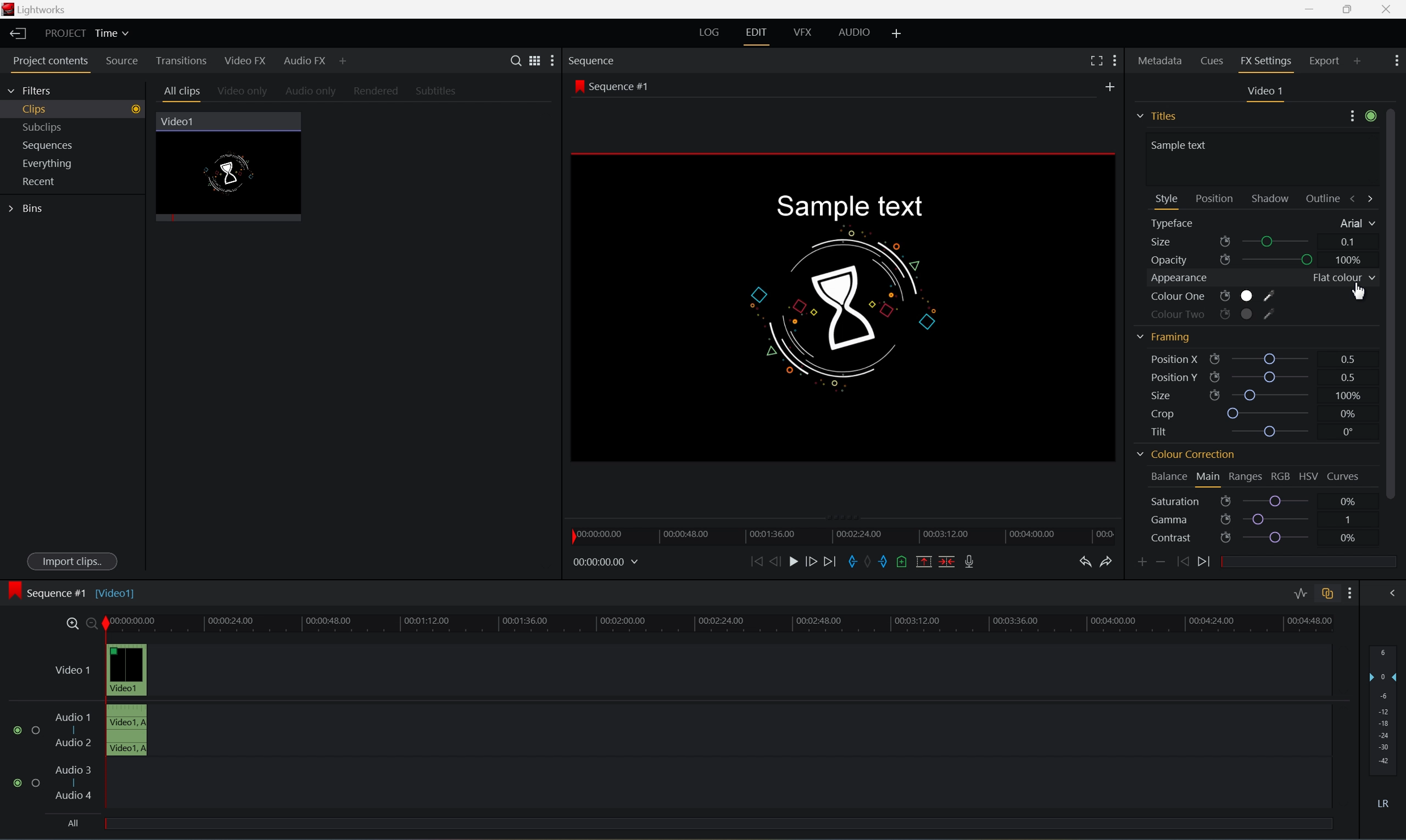 This screenshot has width=1406, height=840. Describe the element at coordinates (871, 561) in the screenshot. I see `clear all marks` at that location.